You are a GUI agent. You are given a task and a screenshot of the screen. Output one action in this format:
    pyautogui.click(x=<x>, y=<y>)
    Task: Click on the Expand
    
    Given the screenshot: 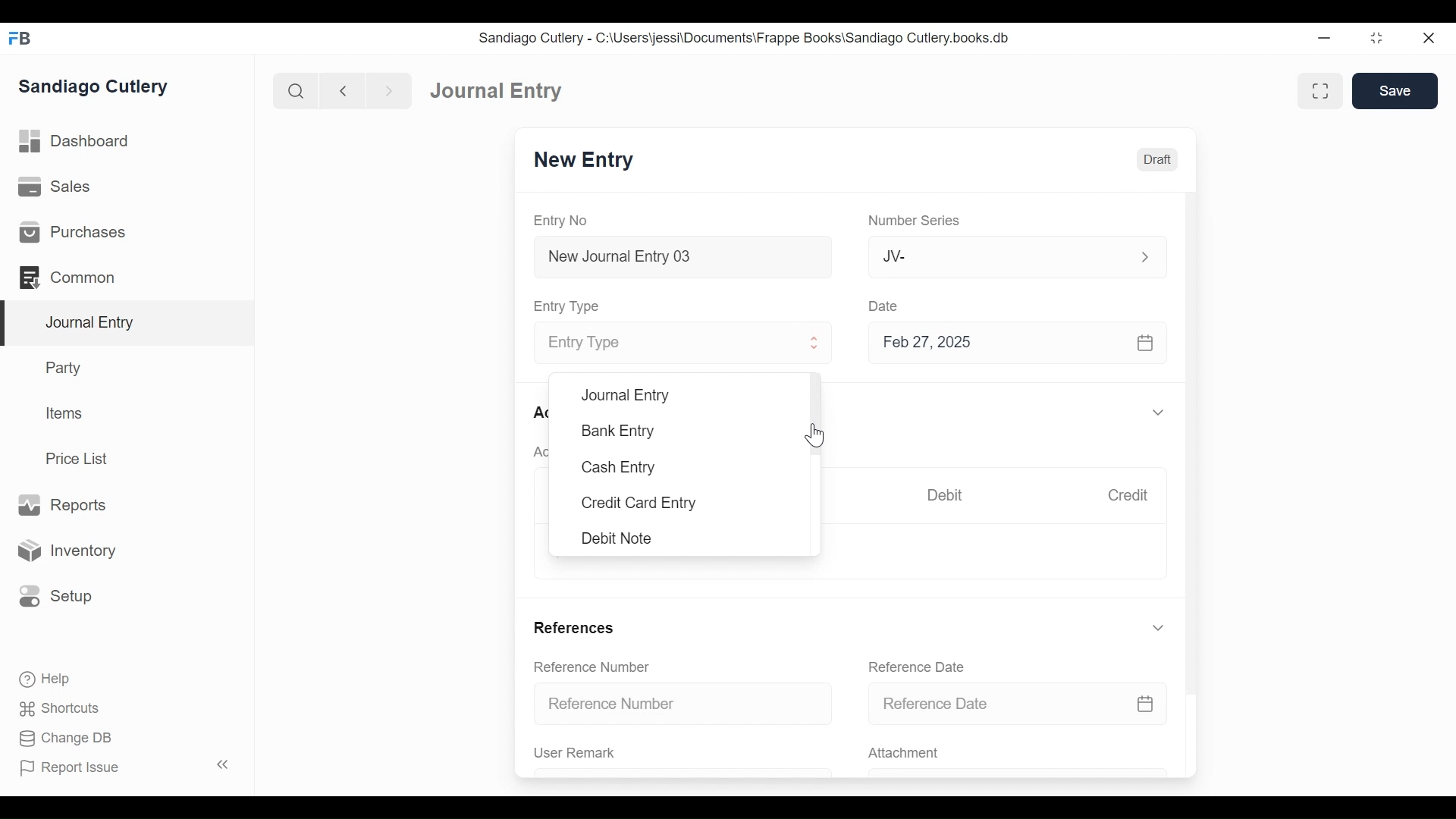 What is the action you would take?
    pyautogui.click(x=816, y=344)
    